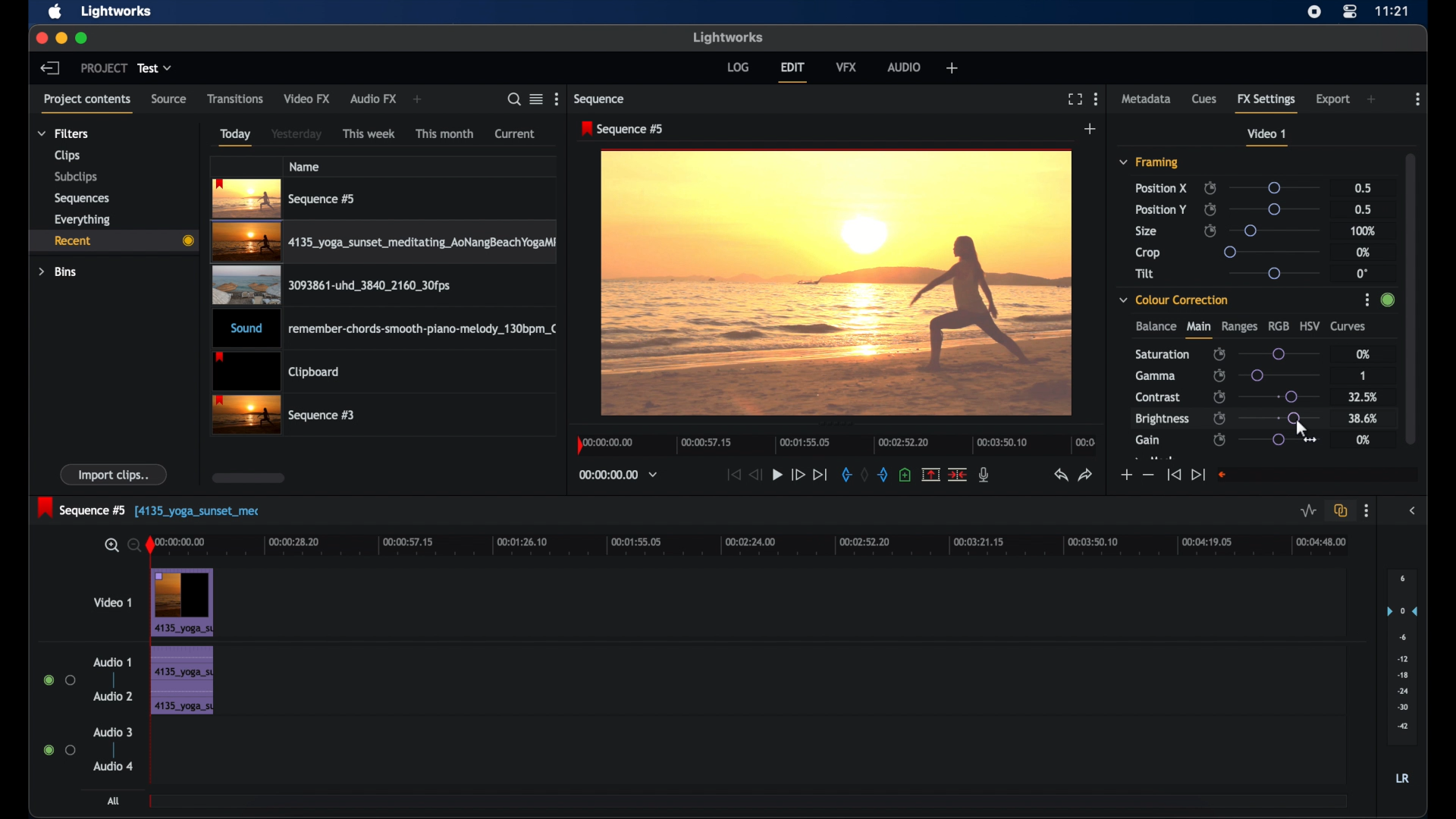  Describe the element at coordinates (1277, 230) in the screenshot. I see `slider` at that location.